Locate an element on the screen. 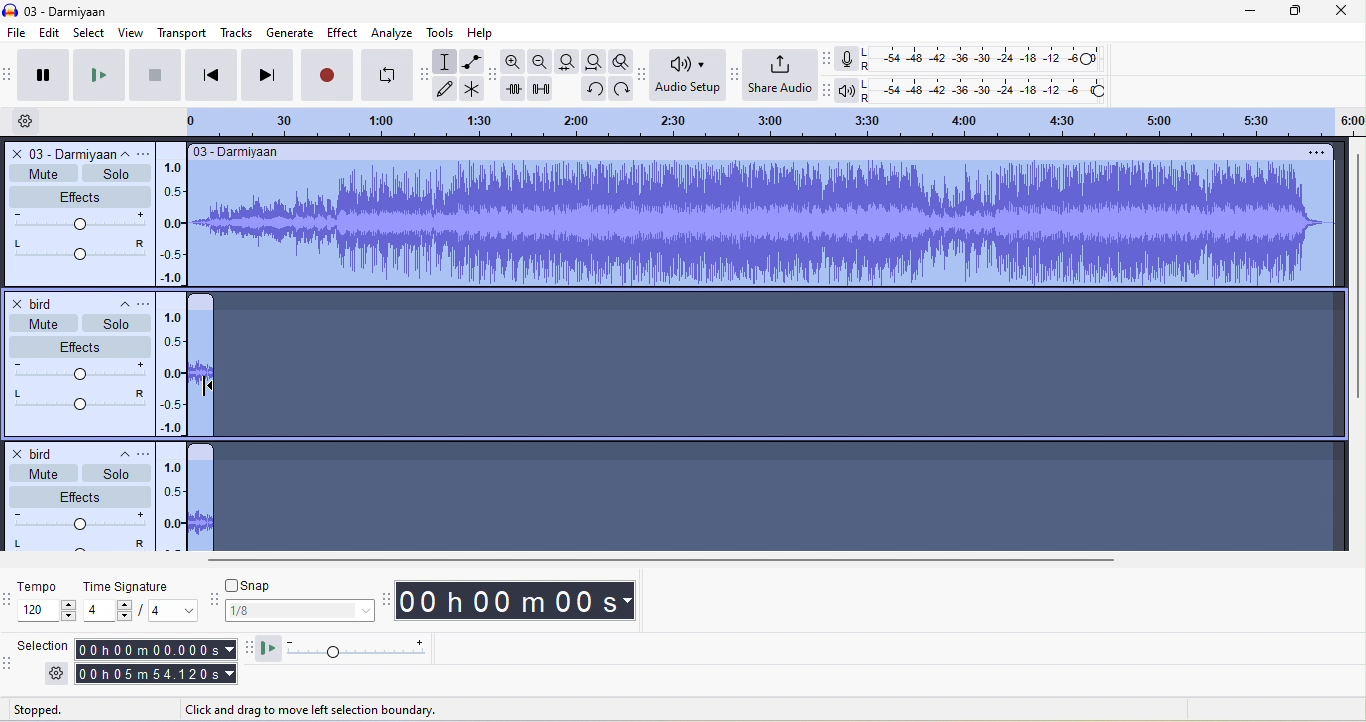 The width and height of the screenshot is (1366, 722). 1/8 is located at coordinates (301, 612).